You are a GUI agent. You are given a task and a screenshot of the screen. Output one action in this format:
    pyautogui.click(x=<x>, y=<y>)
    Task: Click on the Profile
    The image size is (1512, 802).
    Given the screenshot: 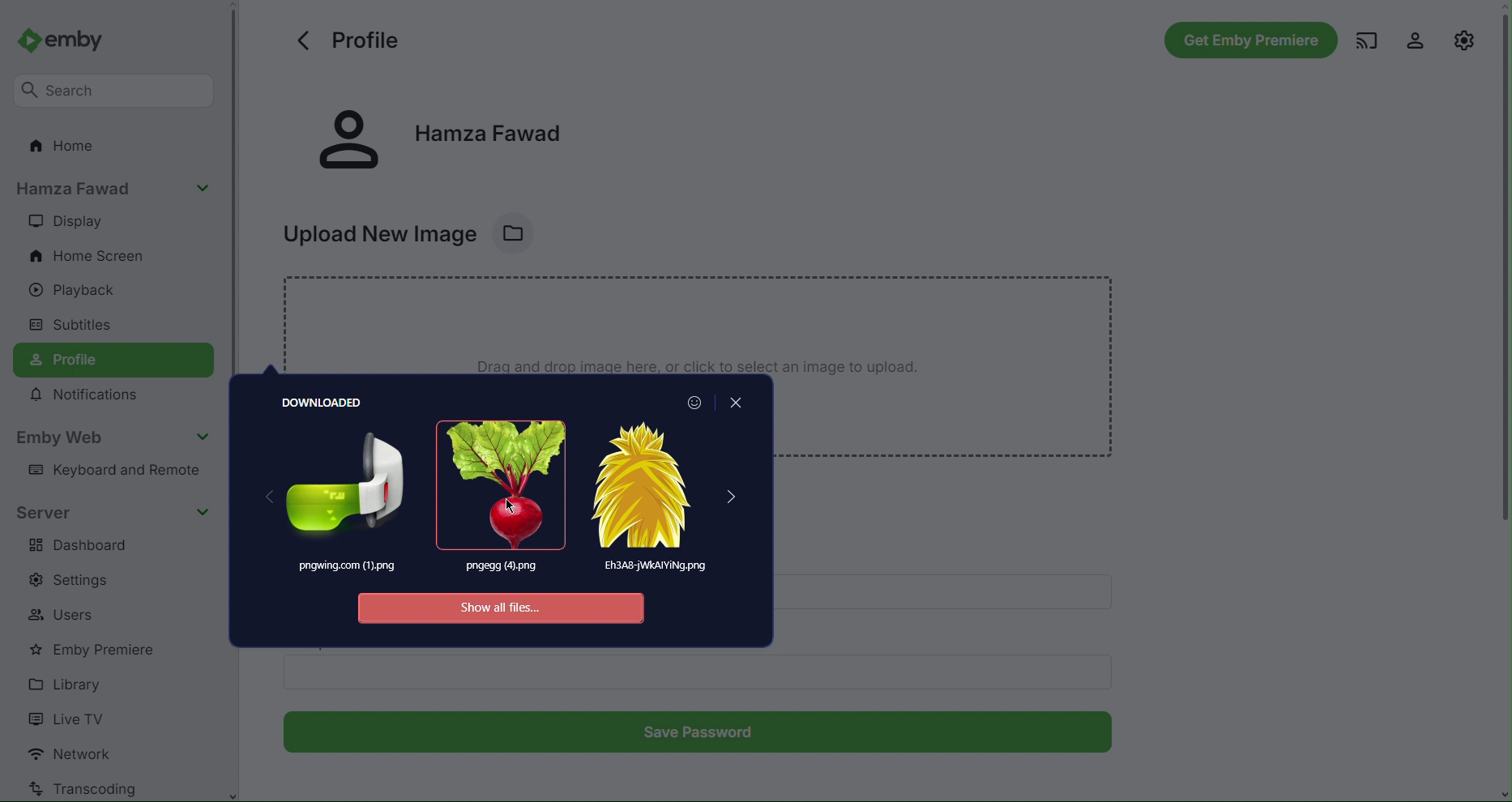 What is the action you would take?
    pyautogui.click(x=346, y=40)
    